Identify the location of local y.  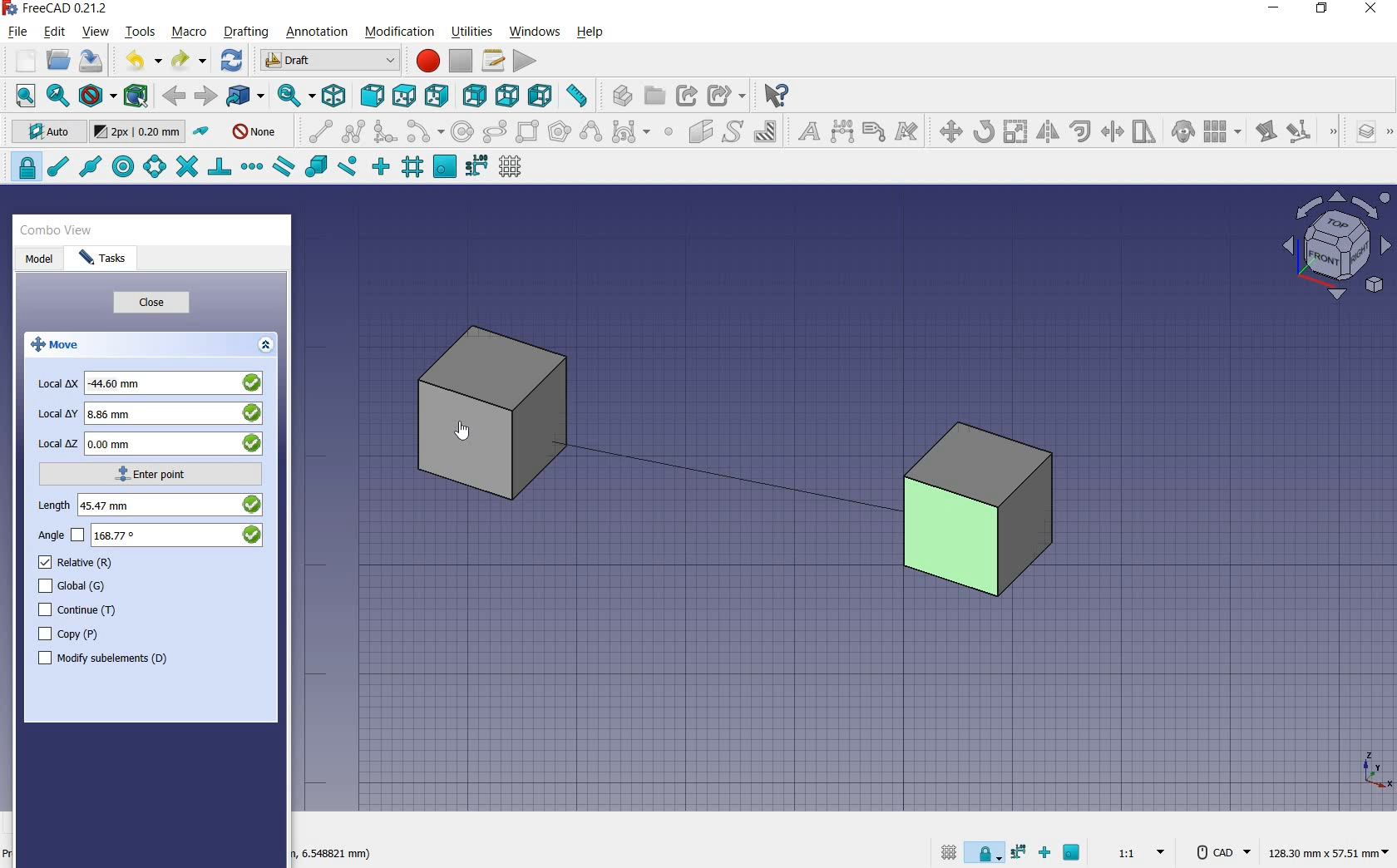
(152, 412).